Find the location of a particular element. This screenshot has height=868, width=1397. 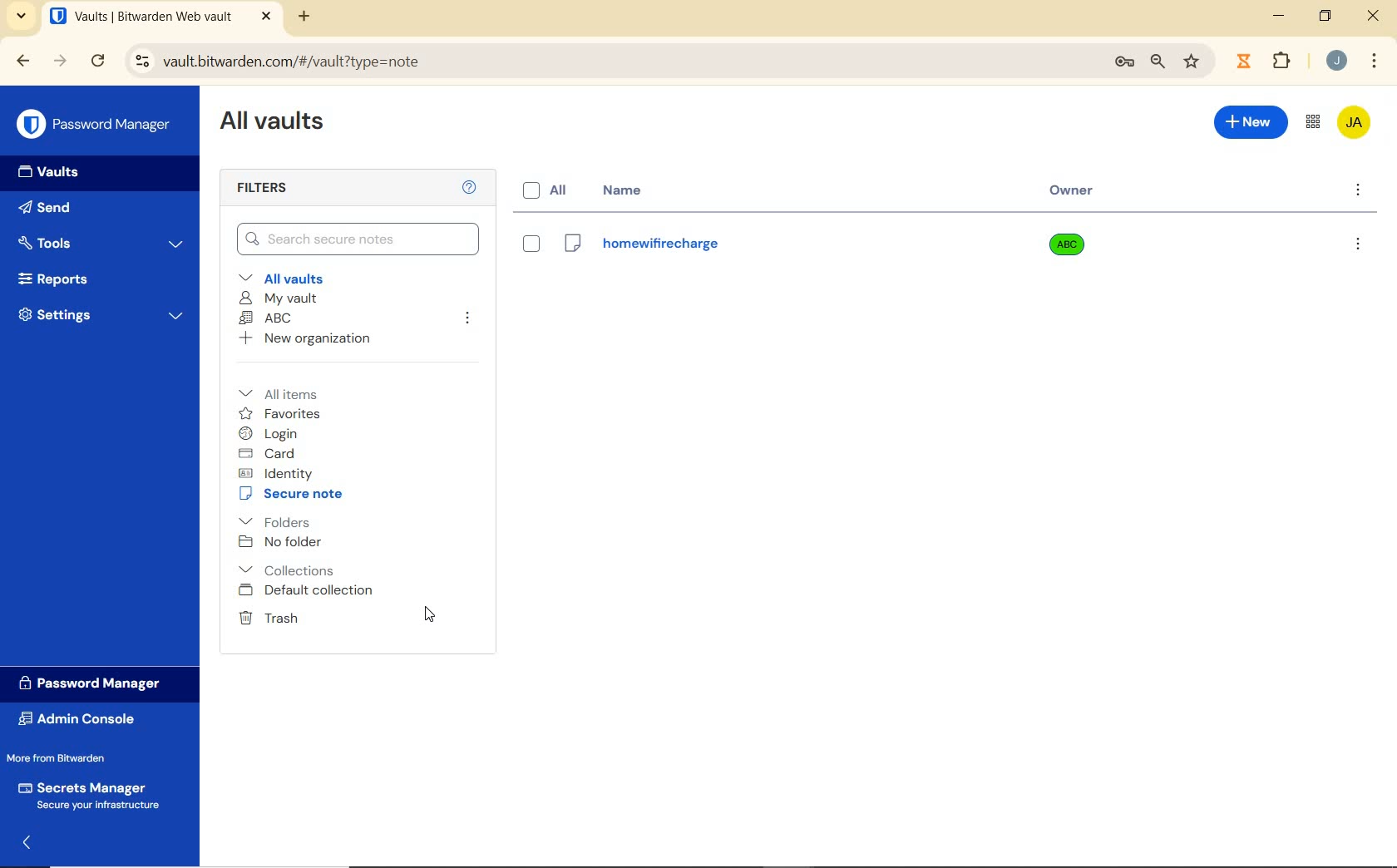

Send is located at coordinates (50, 206).